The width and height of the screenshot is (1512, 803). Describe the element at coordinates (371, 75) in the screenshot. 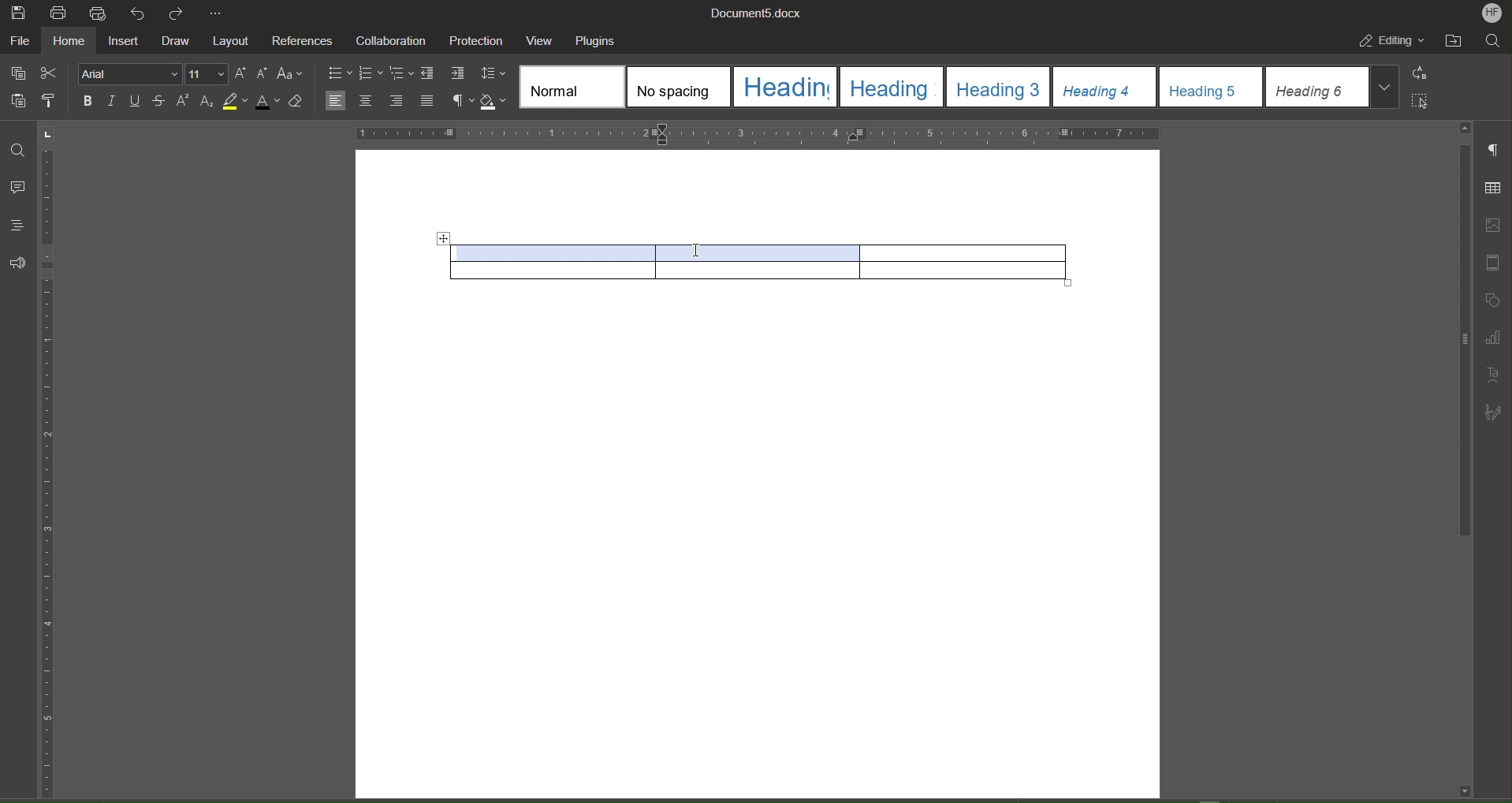

I see `numbering` at that location.